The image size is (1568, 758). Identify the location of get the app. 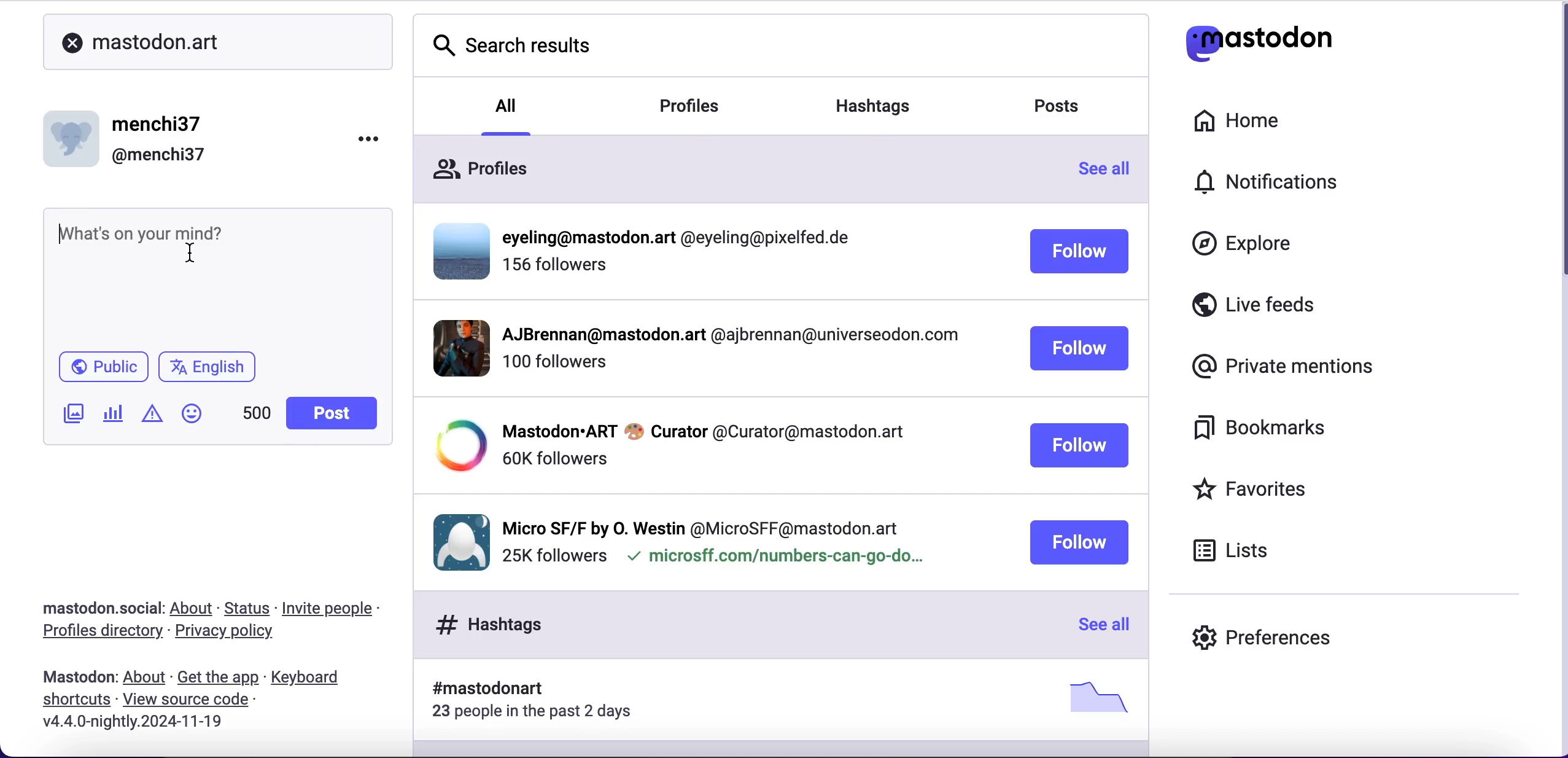
(219, 677).